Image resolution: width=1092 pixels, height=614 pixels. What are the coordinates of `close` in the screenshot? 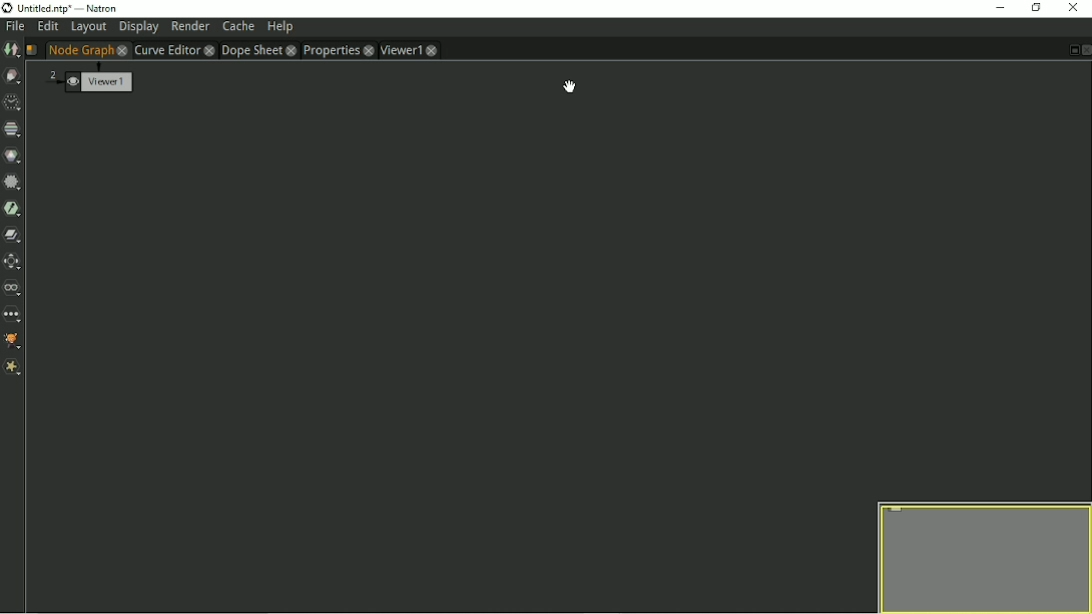 It's located at (208, 50).